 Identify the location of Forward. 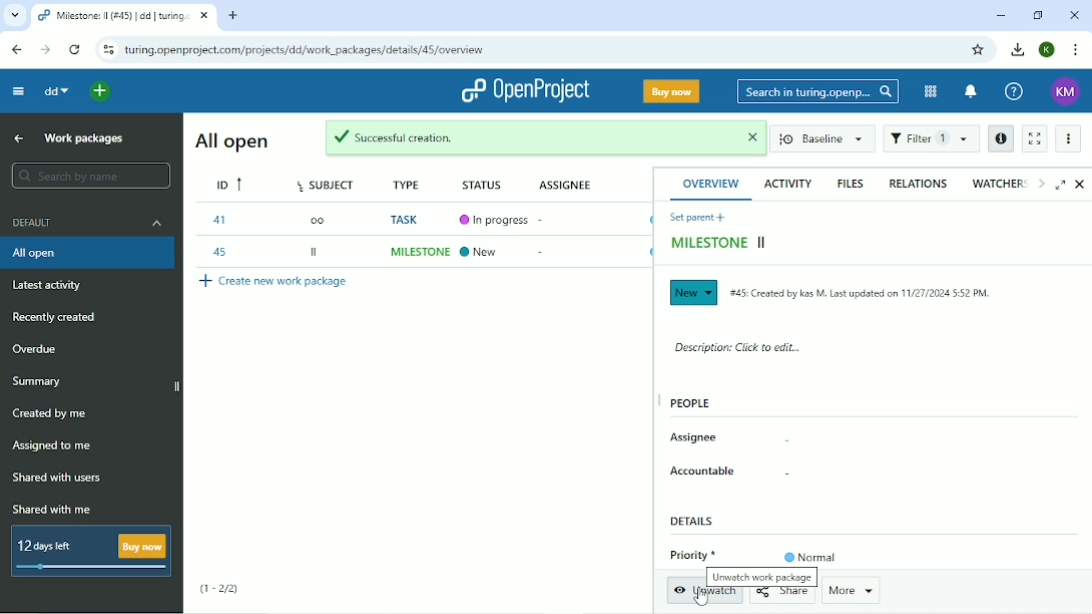
(45, 50).